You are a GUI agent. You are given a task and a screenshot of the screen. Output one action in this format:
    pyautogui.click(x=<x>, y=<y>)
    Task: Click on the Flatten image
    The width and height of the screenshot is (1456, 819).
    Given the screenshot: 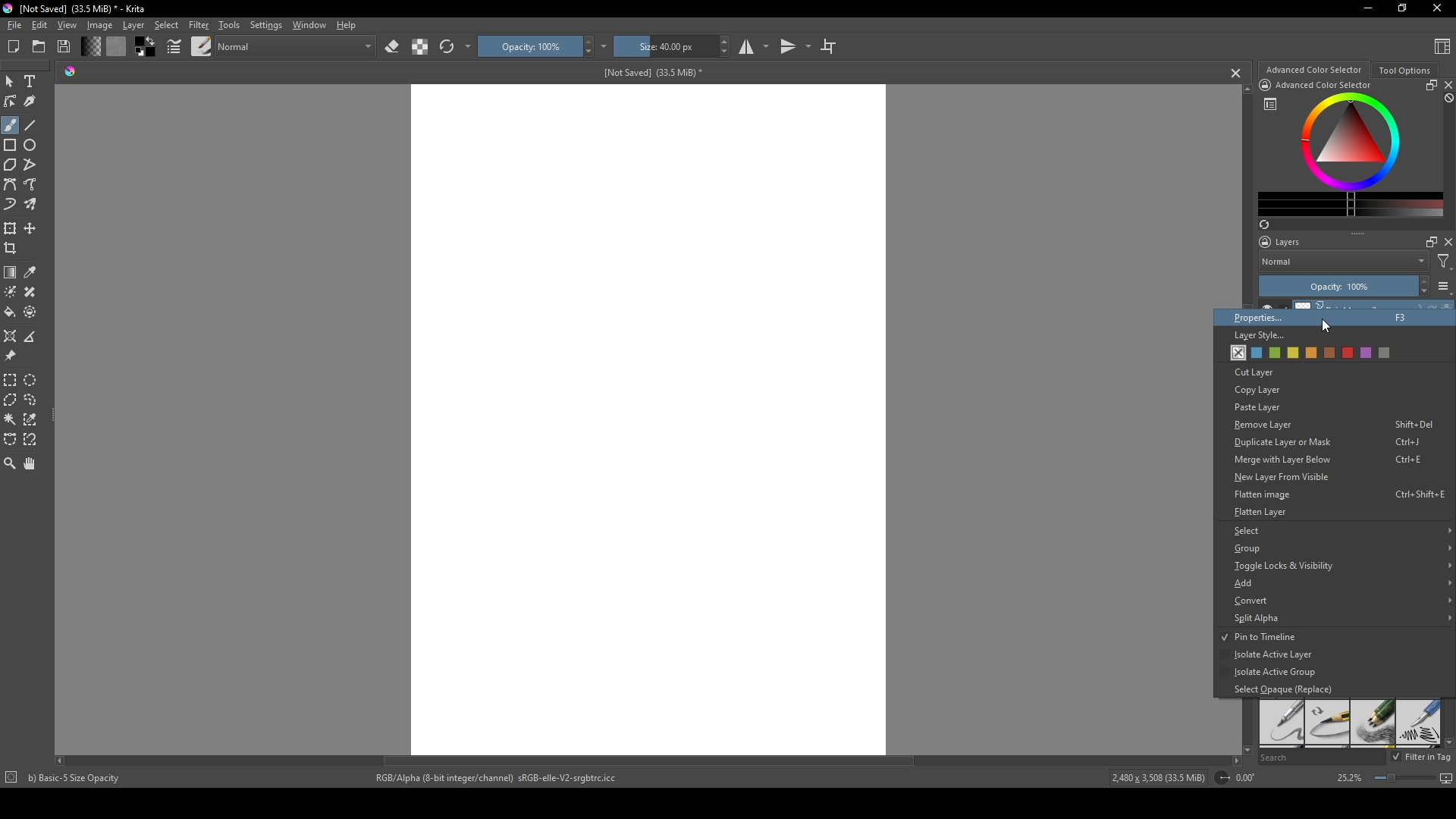 What is the action you would take?
    pyautogui.click(x=1339, y=495)
    